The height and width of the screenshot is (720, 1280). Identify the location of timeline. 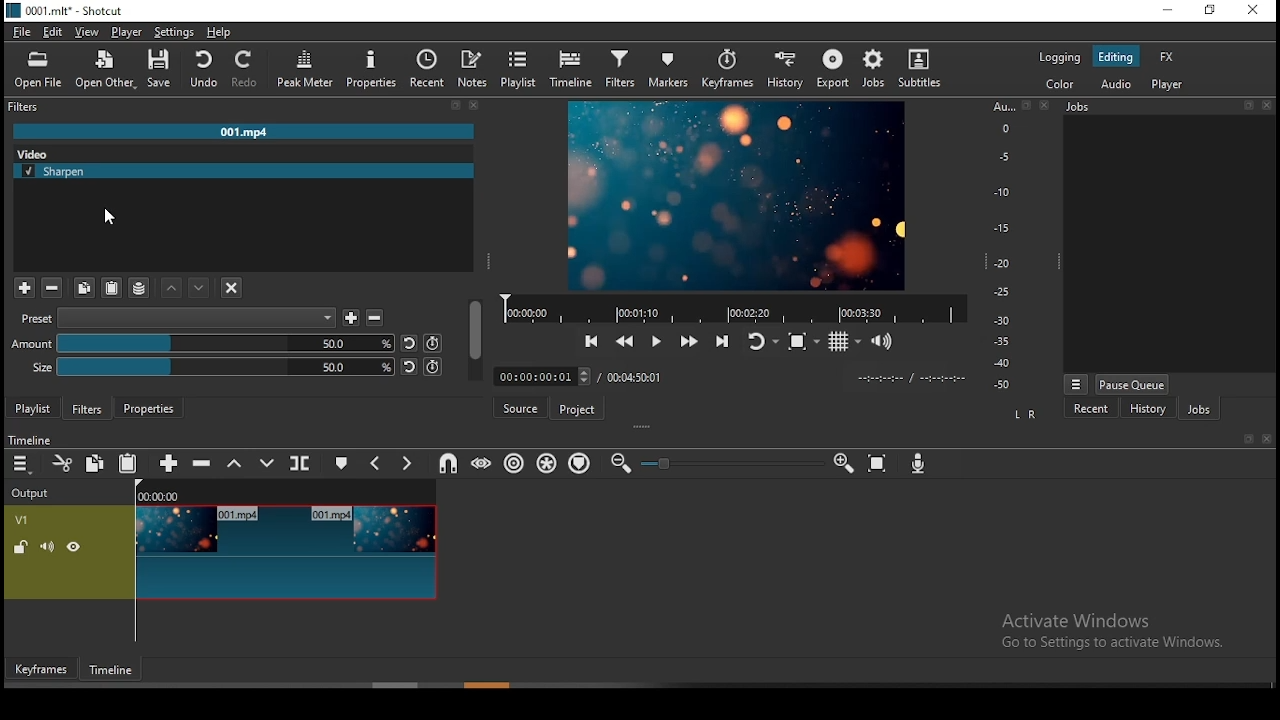
(31, 437).